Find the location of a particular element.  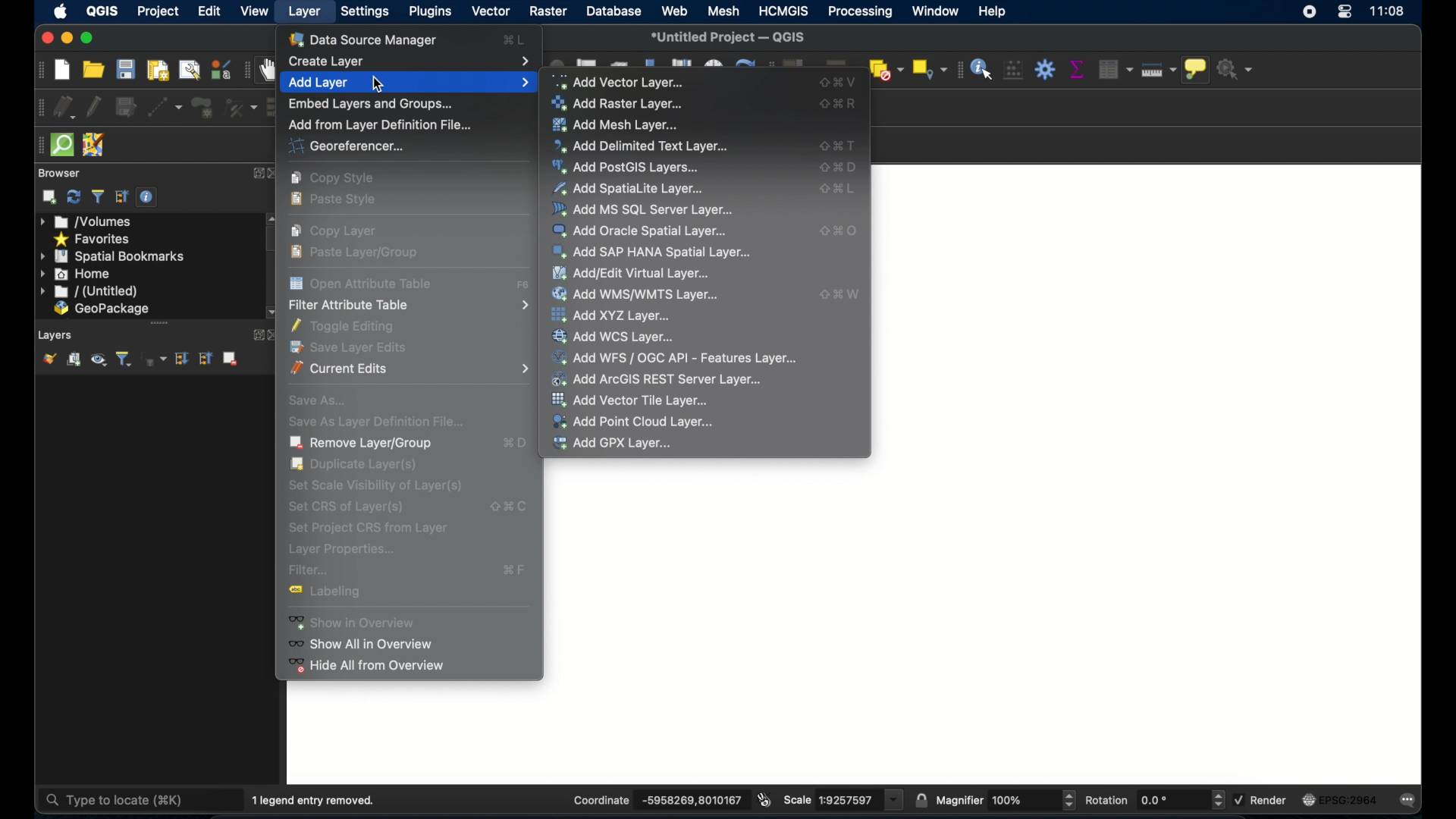

add arcgis rest server layer is located at coordinates (658, 379).